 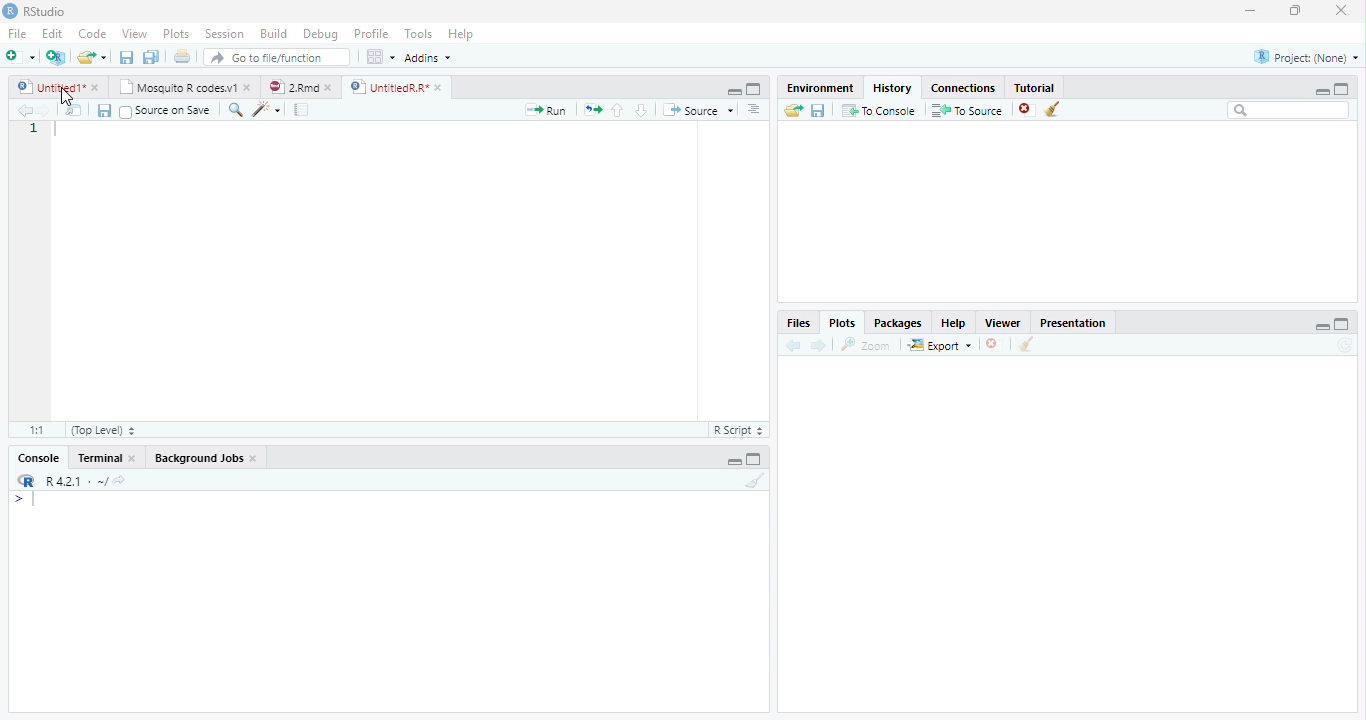 I want to click on Delete, so click(x=1023, y=108).